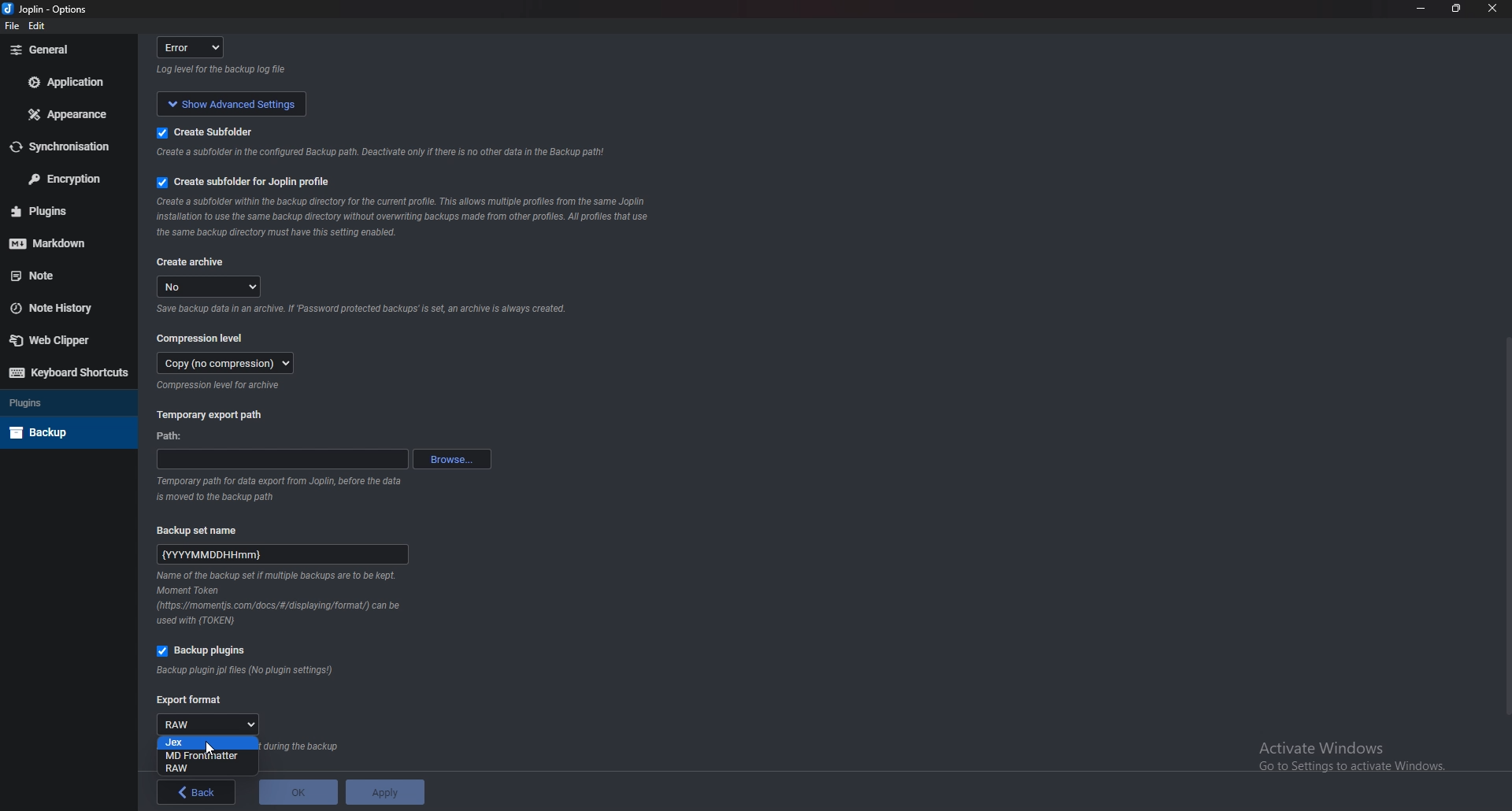  Describe the element at coordinates (283, 552) in the screenshot. I see `name` at that location.